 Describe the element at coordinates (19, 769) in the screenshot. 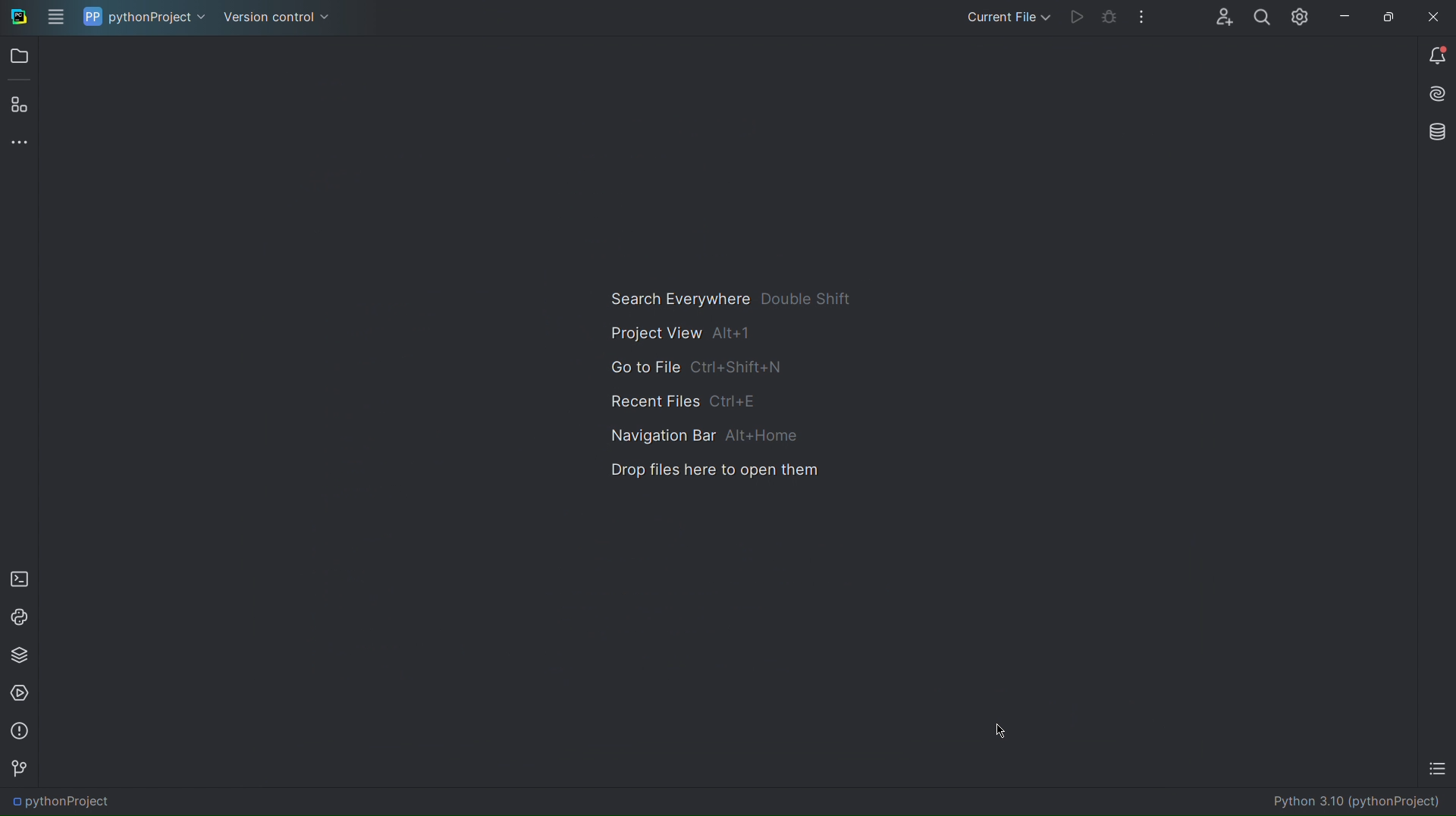

I see `Version Control` at that location.